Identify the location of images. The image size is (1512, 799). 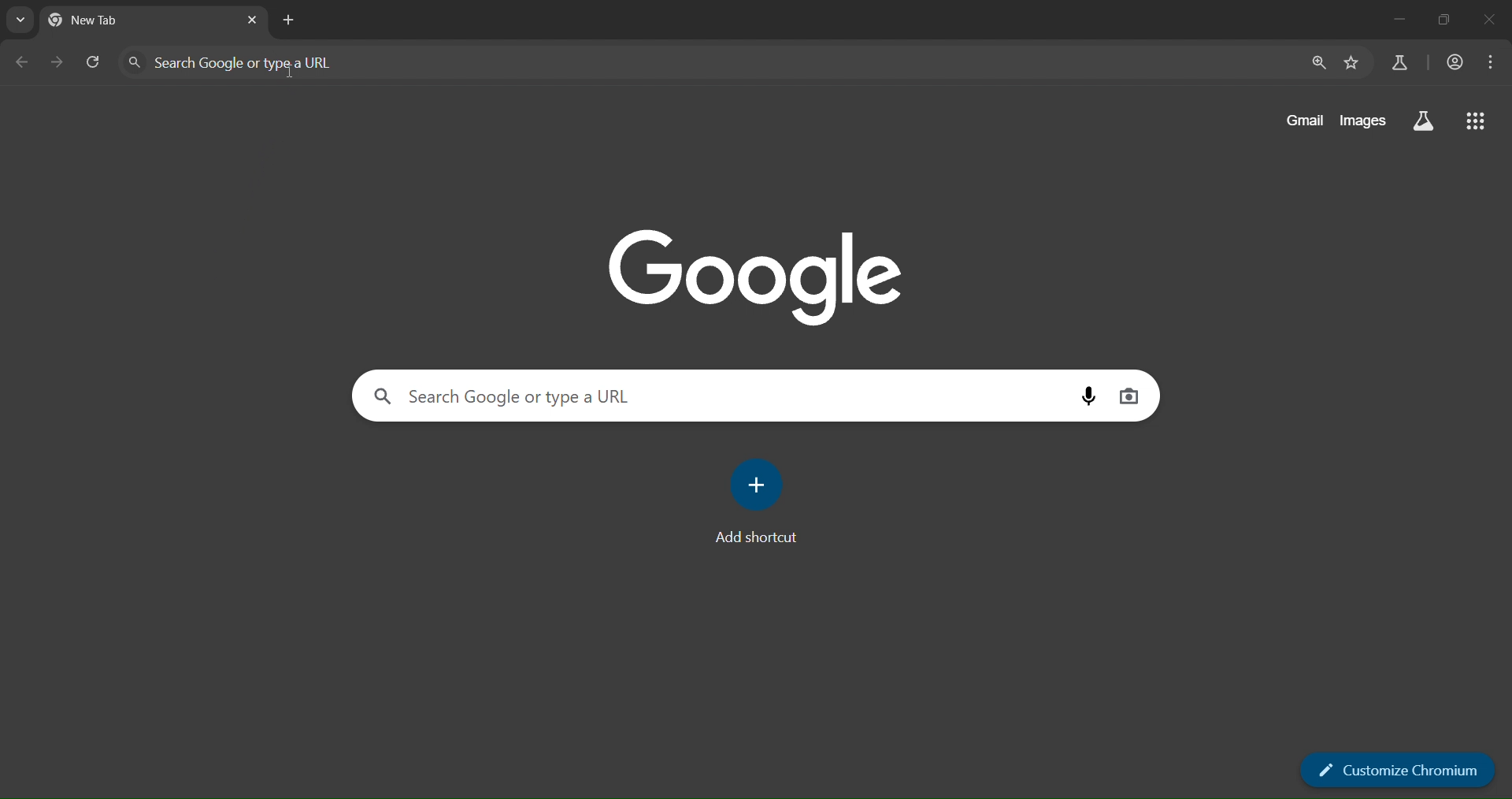
(1362, 123).